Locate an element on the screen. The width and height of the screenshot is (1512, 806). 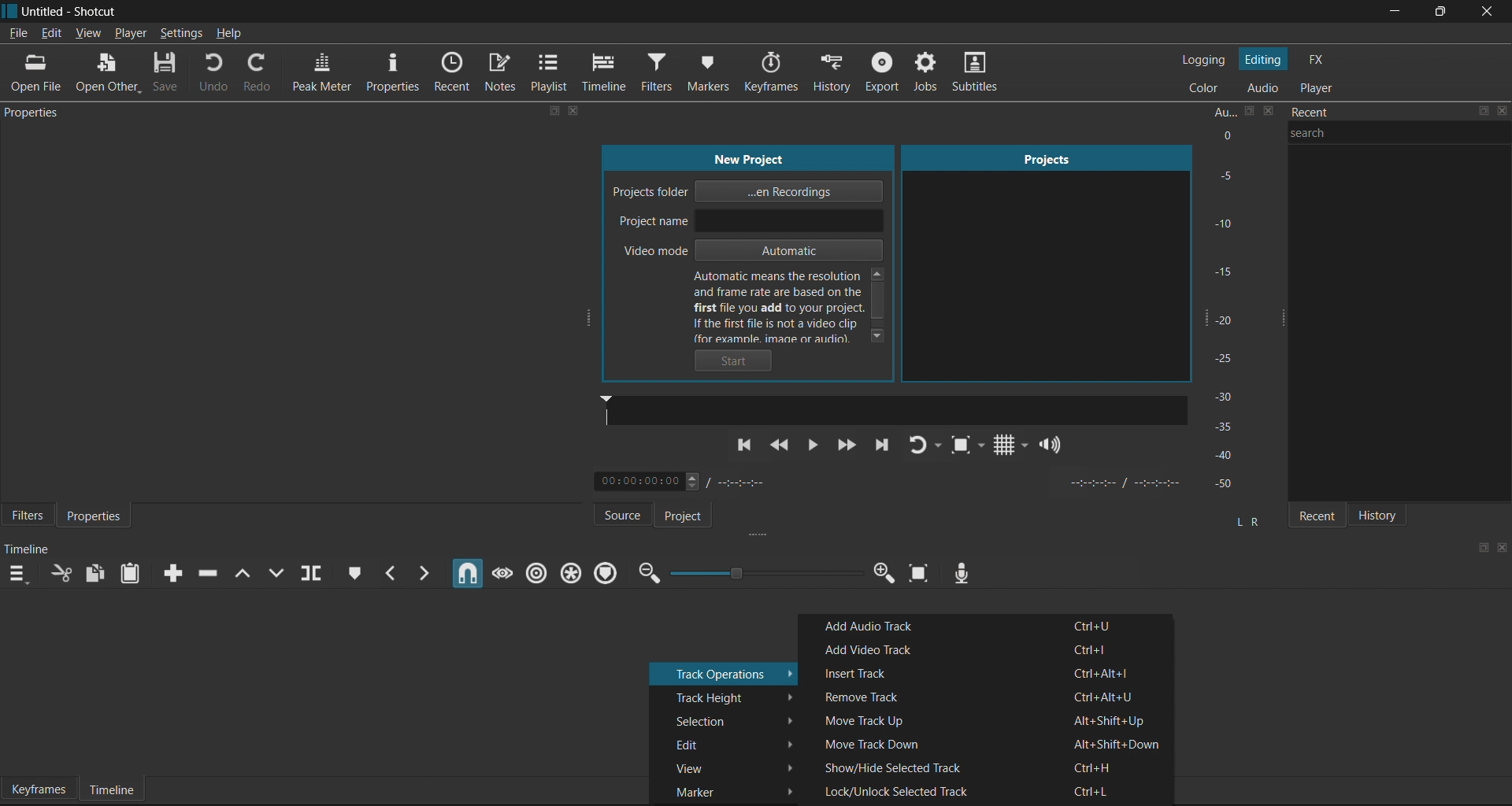
Lift is located at coordinates (246, 571).